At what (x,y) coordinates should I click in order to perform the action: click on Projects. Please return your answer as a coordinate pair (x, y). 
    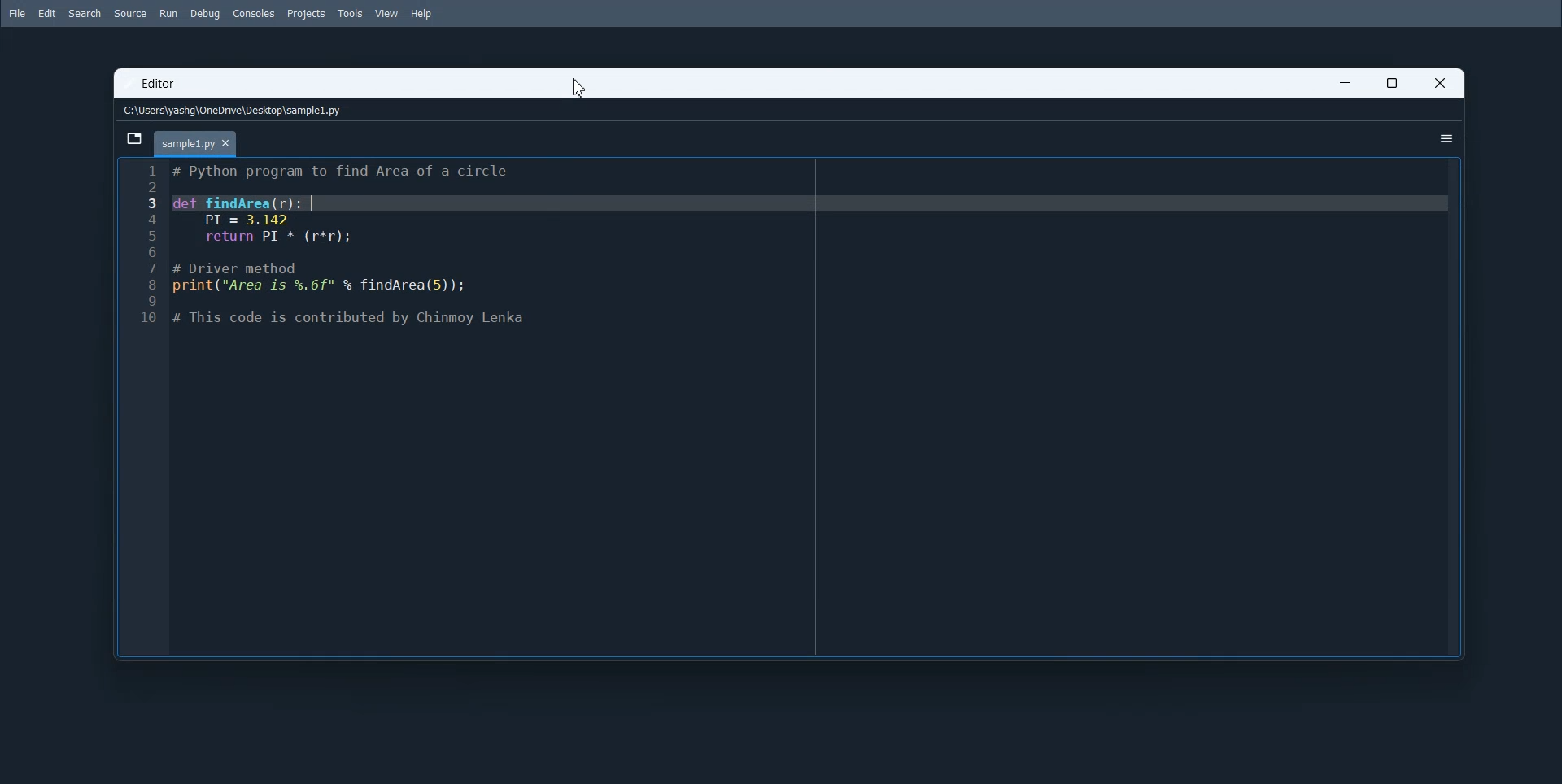
    Looking at the image, I should click on (307, 15).